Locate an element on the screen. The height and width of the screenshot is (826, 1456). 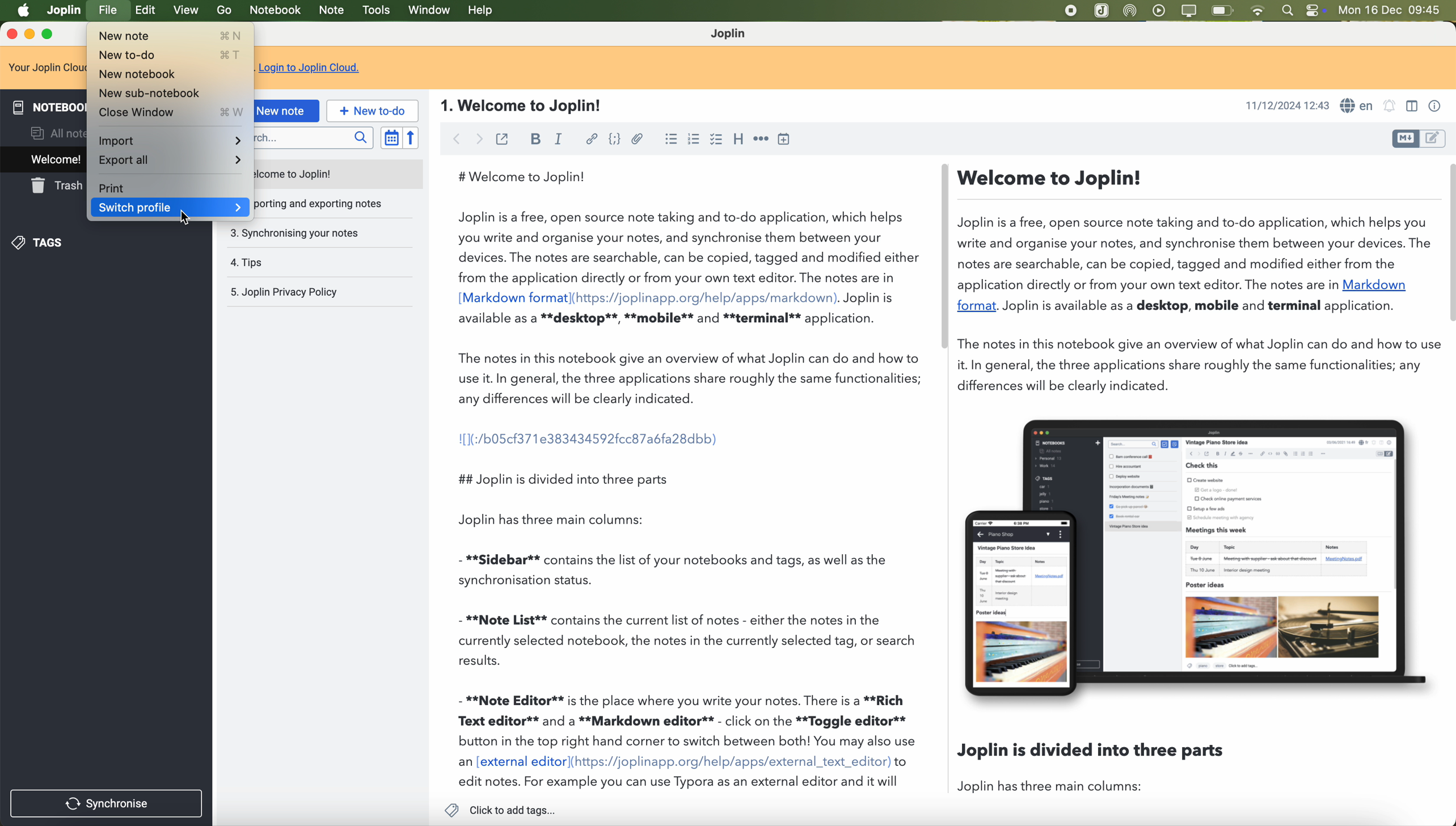
Joplin is a free, open source note taking and to-do application, which helps
you write and organise your notes, and synchronise them between your
devices. The notes are searchable, can be copied, tagged and modified either
from the application directly or from your own text editor. The notes are in is located at coordinates (689, 247).